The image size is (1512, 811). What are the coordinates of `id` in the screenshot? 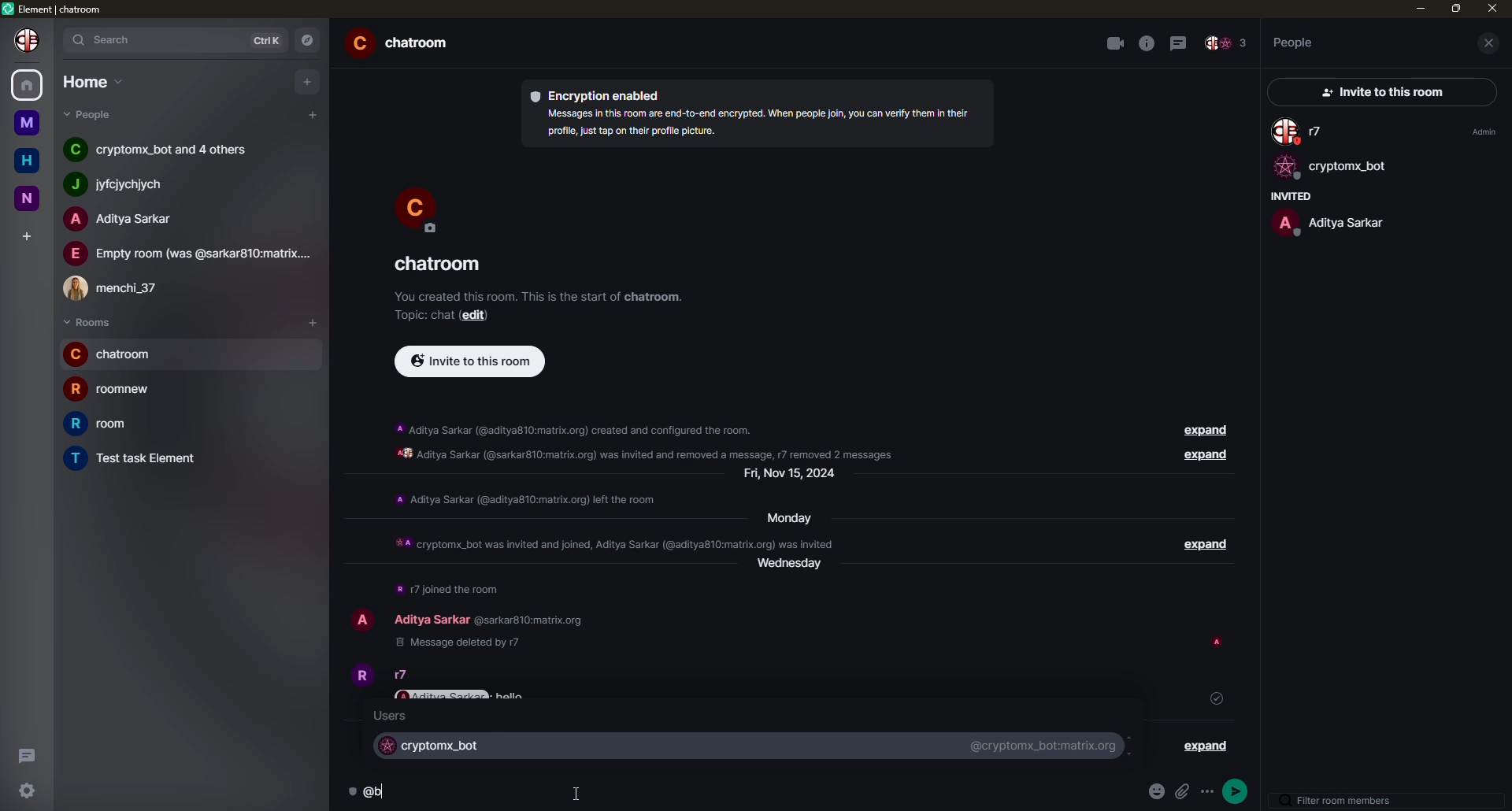 It's located at (527, 621).